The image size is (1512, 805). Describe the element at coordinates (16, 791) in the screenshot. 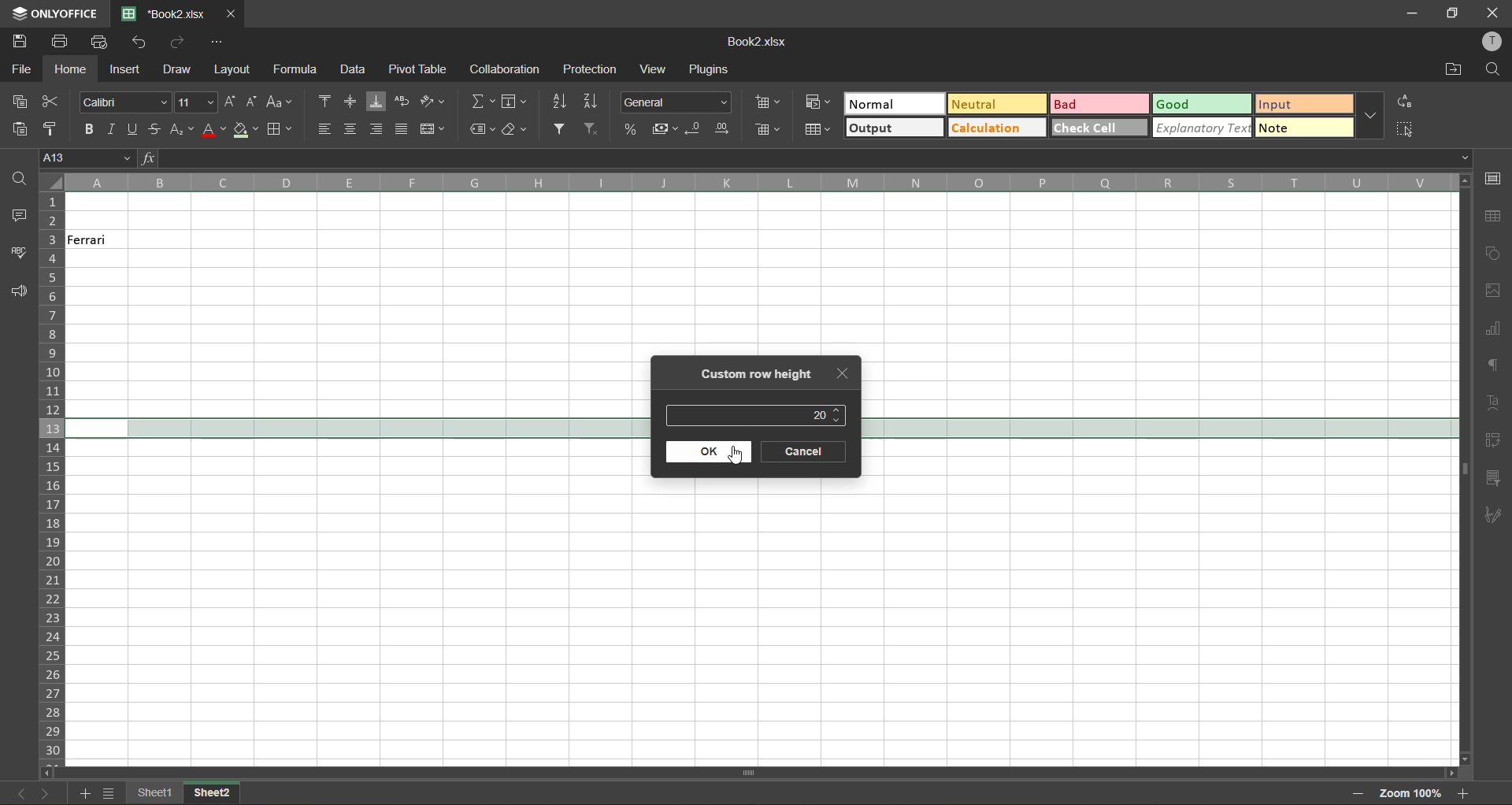

I see `previous` at that location.